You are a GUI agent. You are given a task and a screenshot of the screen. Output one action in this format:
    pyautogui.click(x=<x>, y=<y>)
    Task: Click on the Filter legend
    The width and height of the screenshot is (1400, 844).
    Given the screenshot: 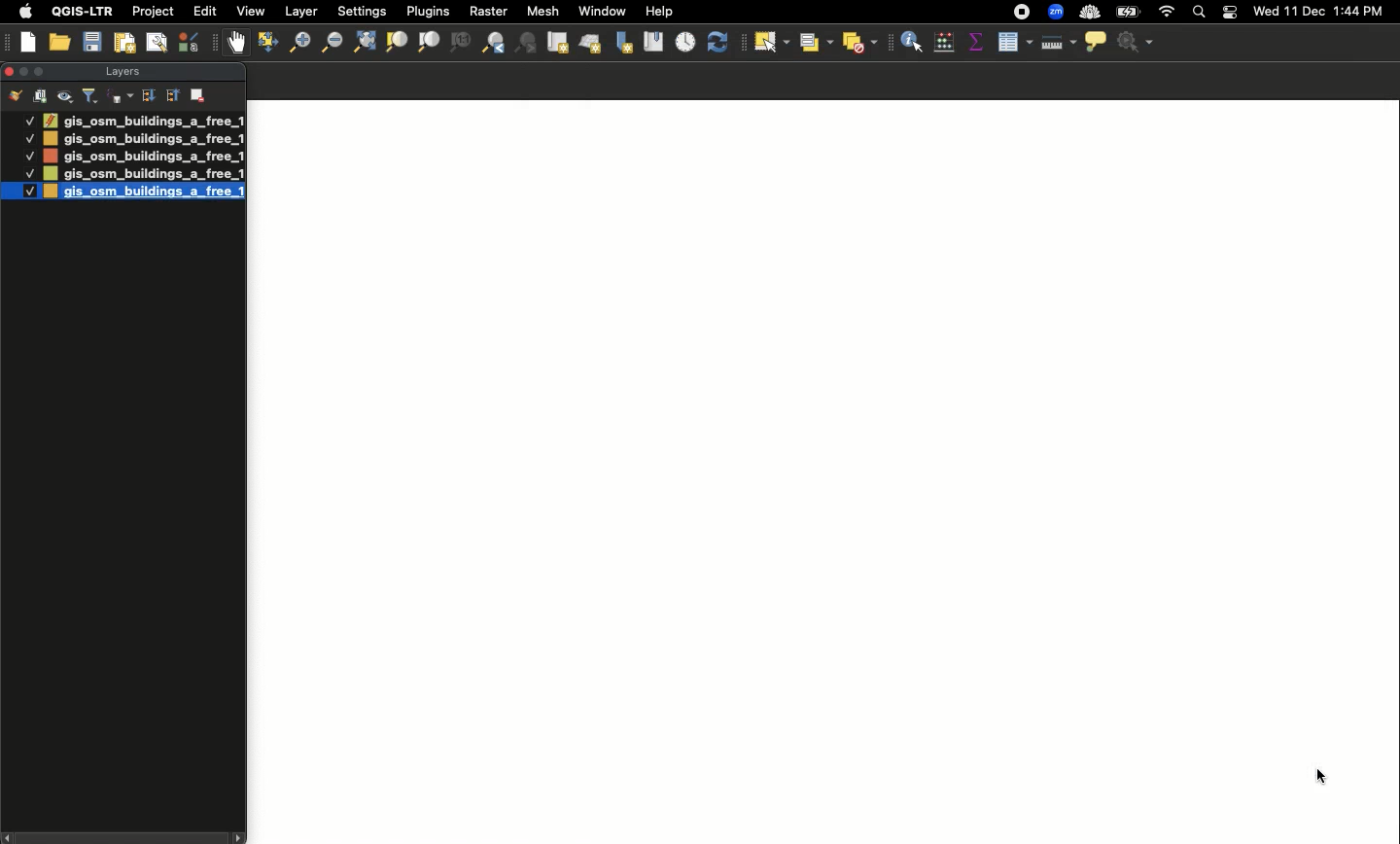 What is the action you would take?
    pyautogui.click(x=91, y=96)
    